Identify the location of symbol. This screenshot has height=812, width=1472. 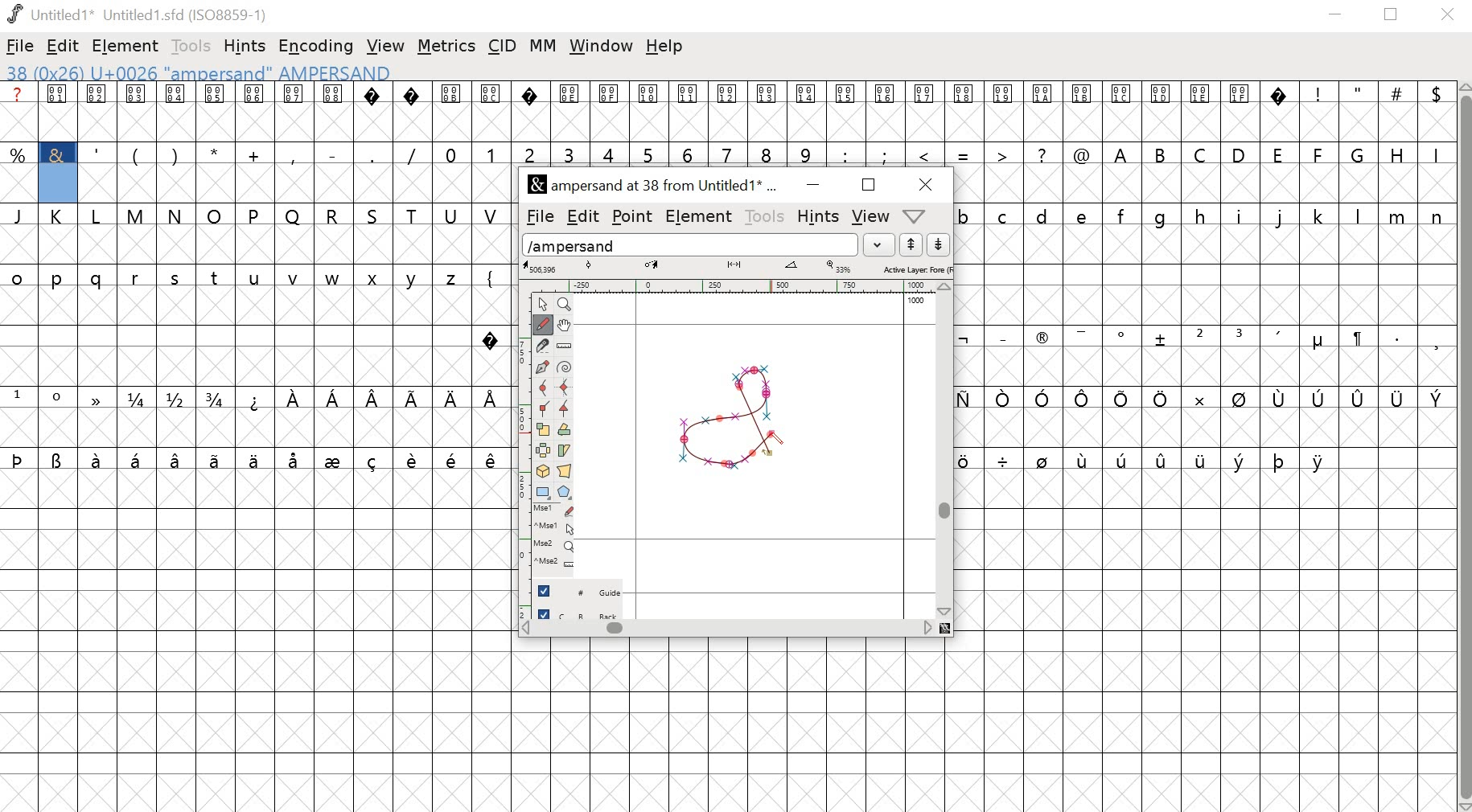
(1280, 460).